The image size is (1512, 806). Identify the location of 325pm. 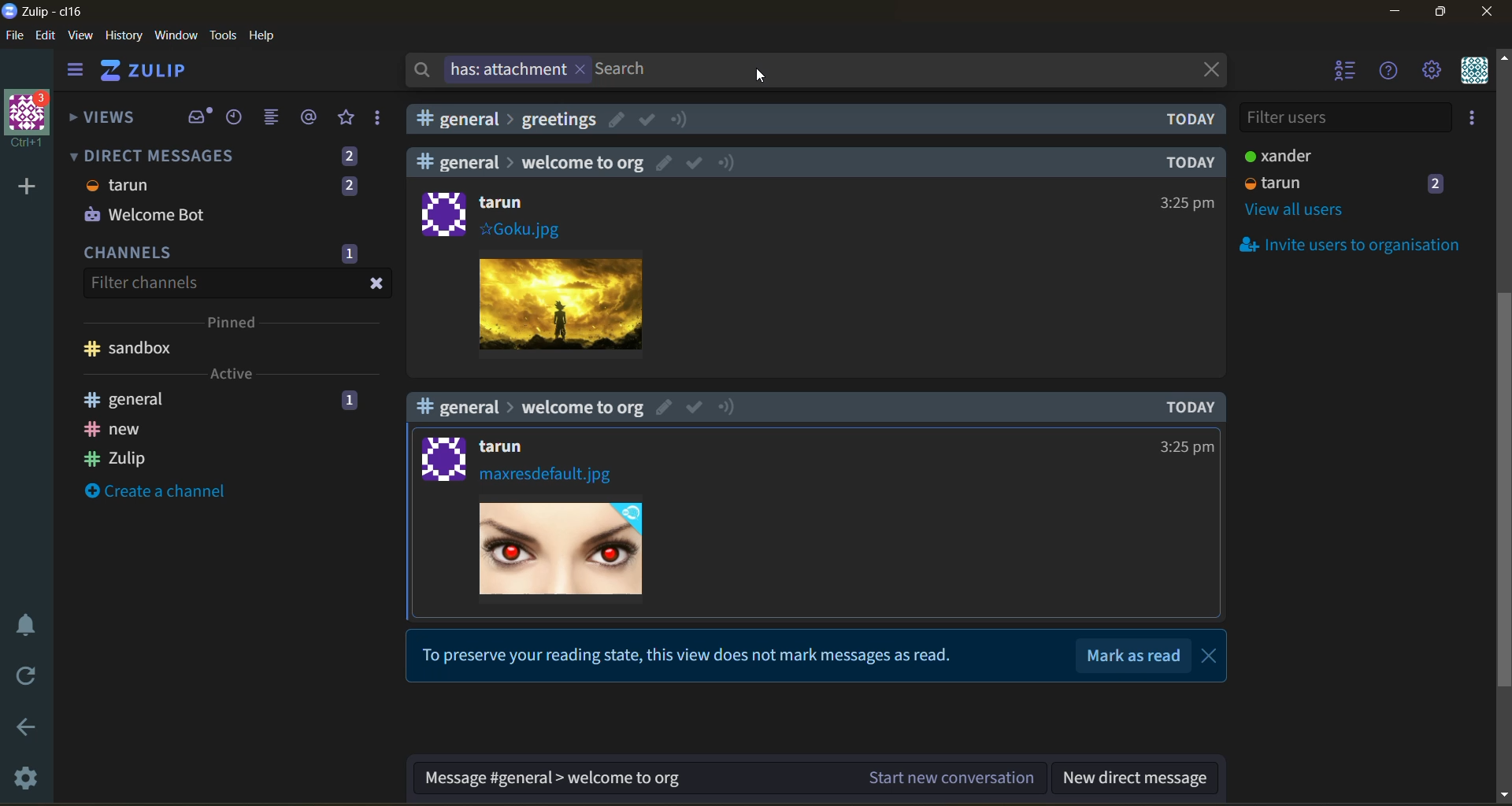
(1188, 202).